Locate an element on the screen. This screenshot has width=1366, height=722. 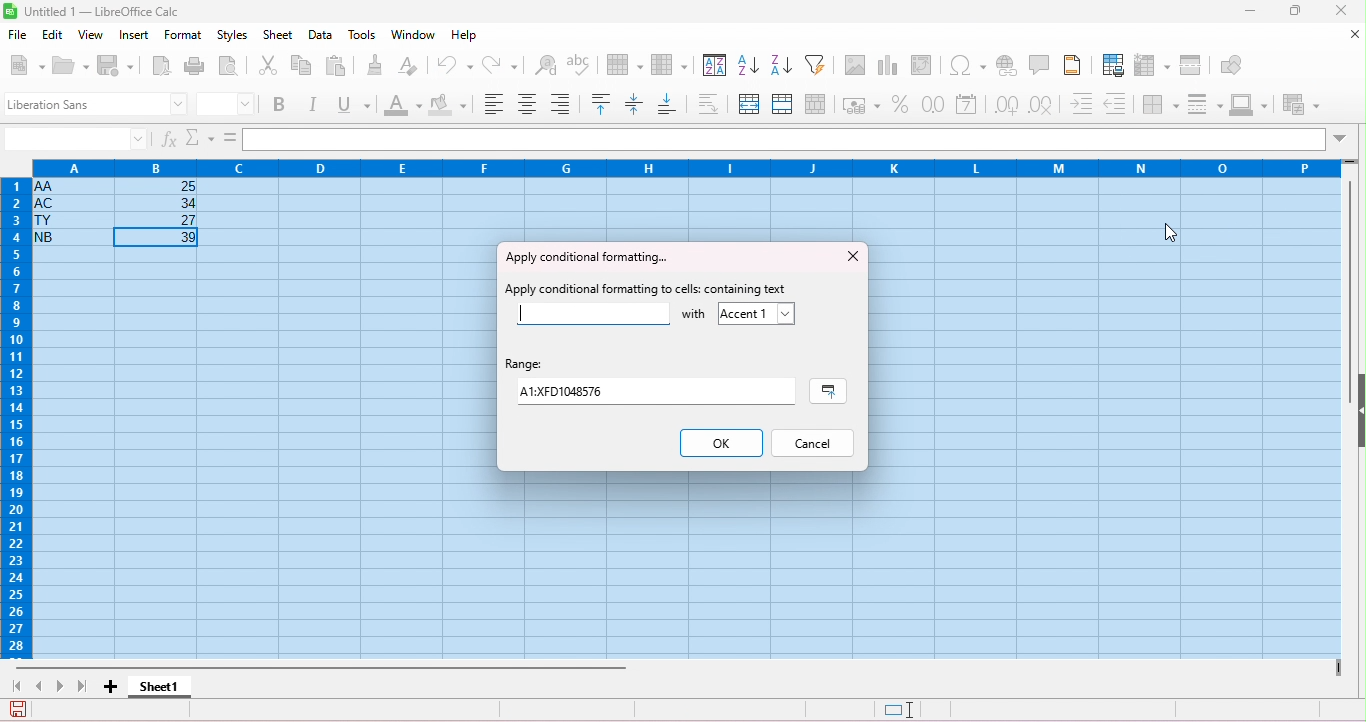
column headings is located at coordinates (680, 166).